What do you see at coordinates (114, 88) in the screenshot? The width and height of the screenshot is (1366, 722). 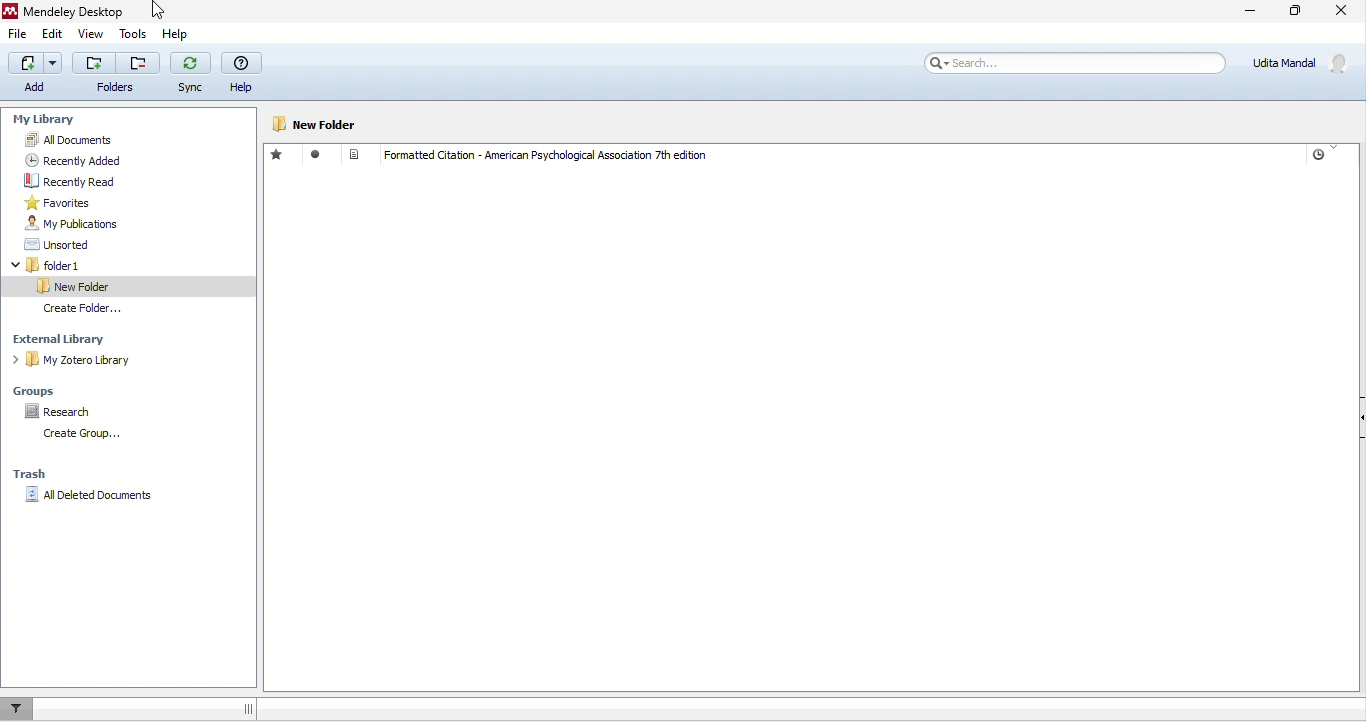 I see `Folders` at bounding box center [114, 88].